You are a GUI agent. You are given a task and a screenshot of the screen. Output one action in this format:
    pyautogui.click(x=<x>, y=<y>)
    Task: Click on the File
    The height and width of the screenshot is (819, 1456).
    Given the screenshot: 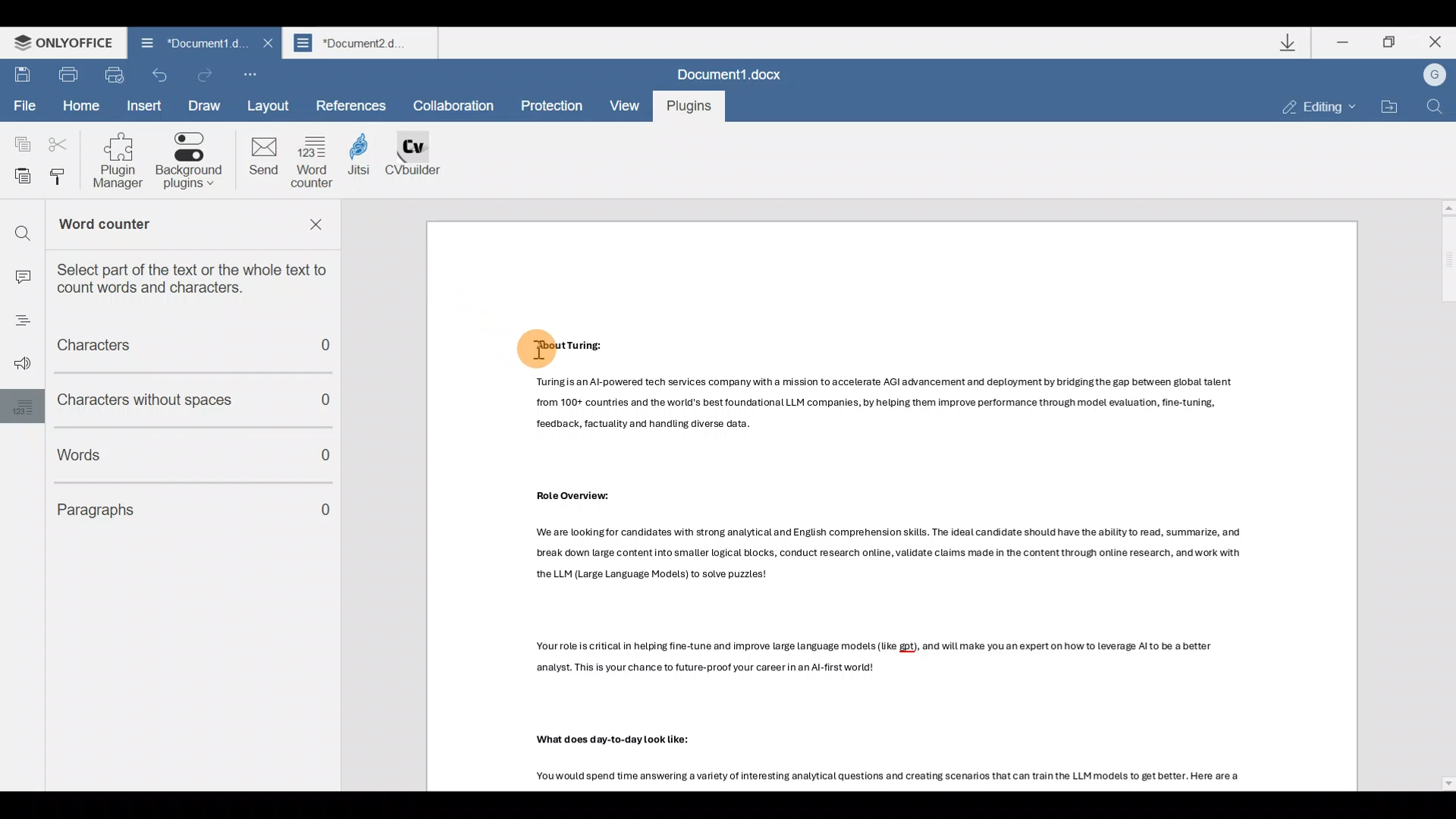 What is the action you would take?
    pyautogui.click(x=24, y=106)
    